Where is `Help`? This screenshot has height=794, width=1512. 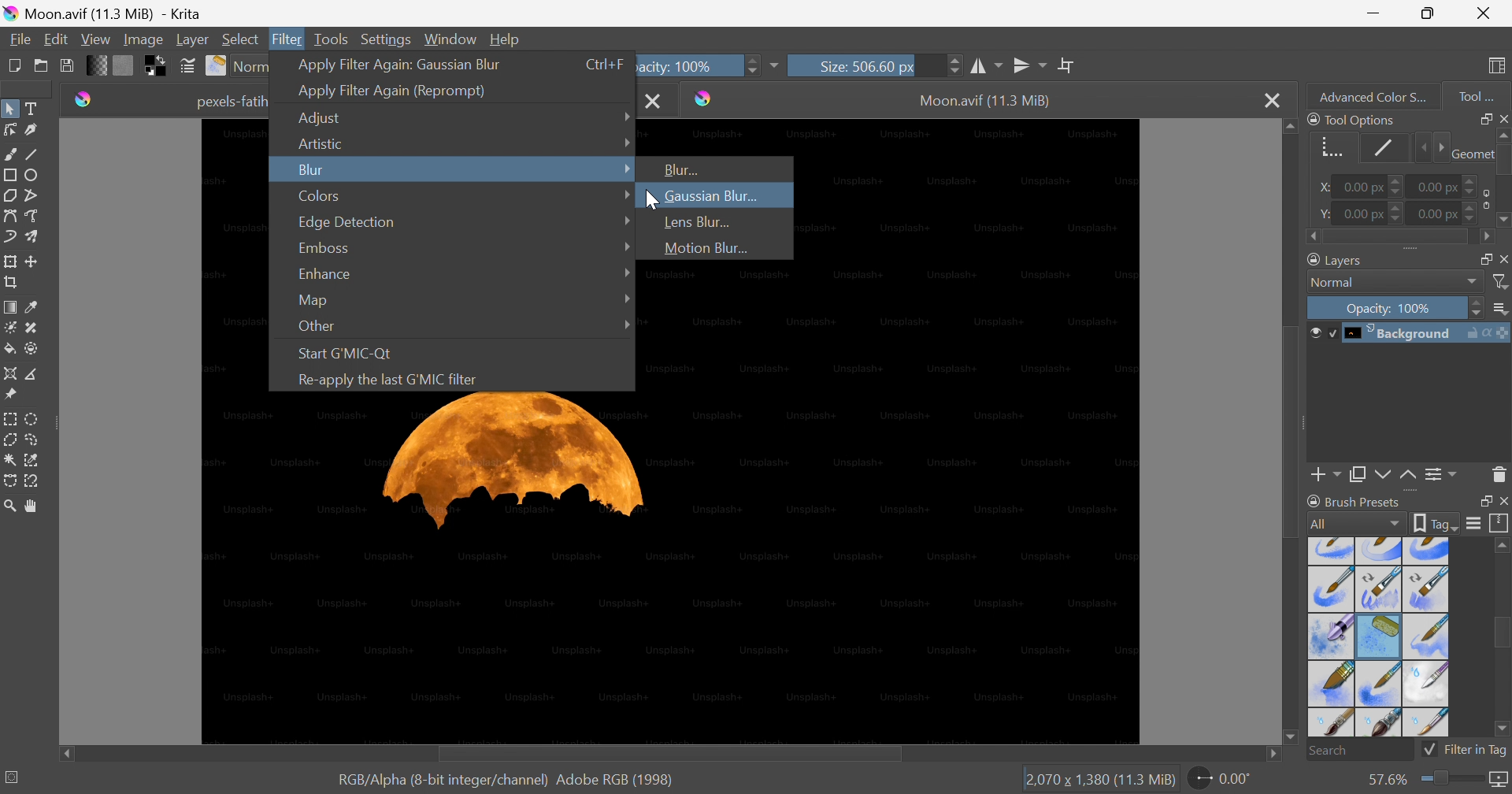
Help is located at coordinates (504, 40).